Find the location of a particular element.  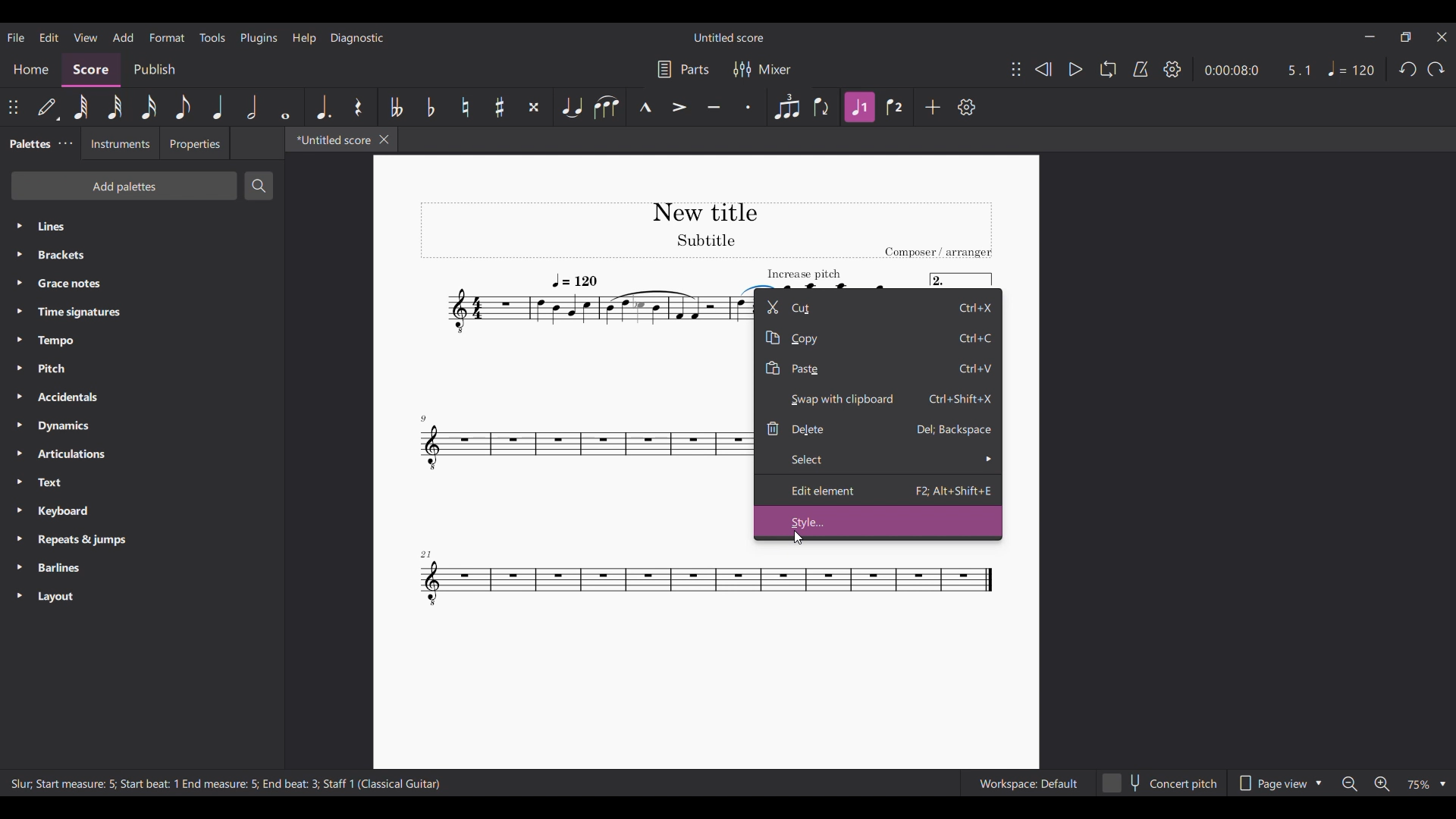

Home section is located at coordinates (31, 70).